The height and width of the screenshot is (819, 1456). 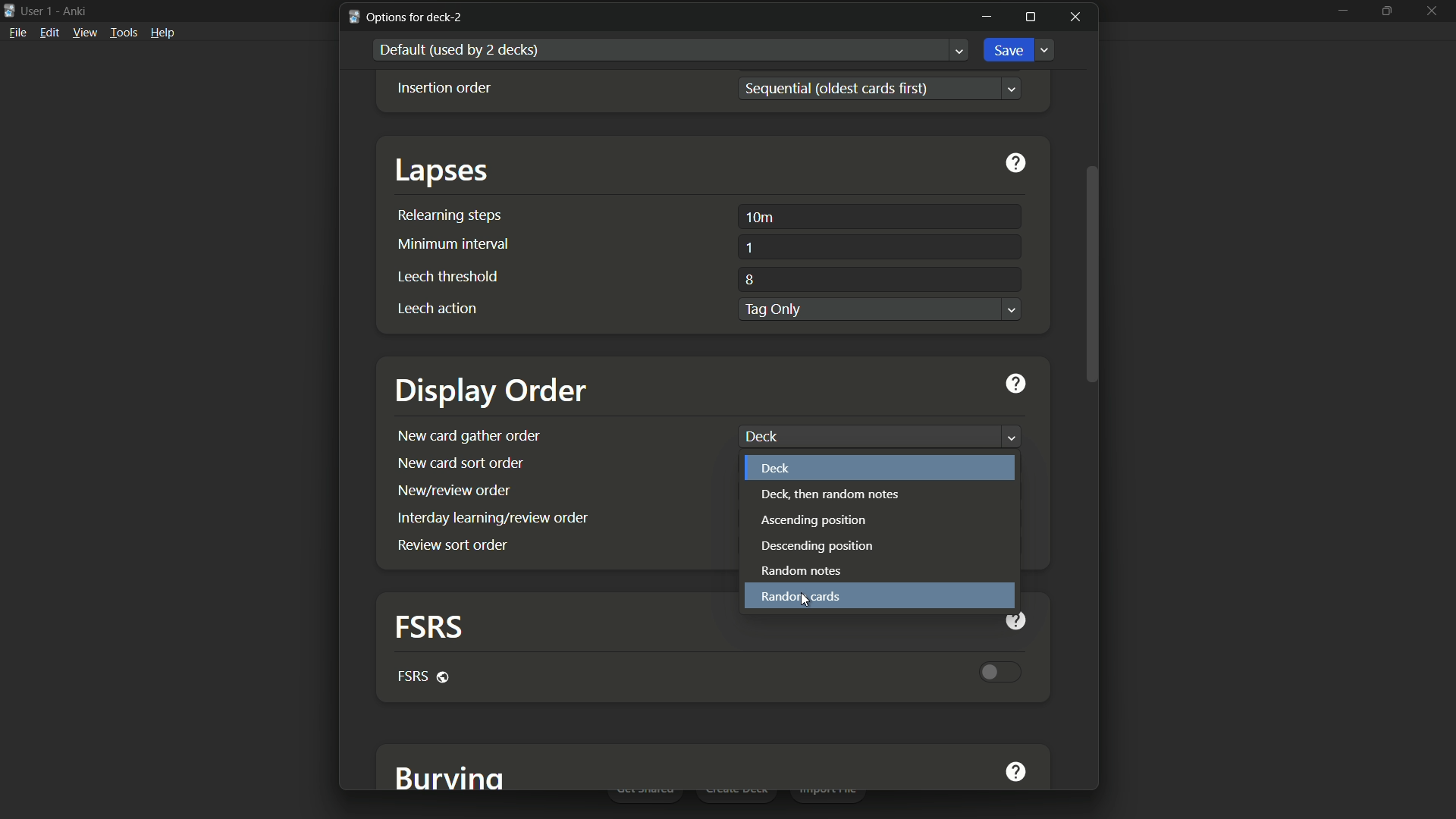 What do you see at coordinates (495, 518) in the screenshot?
I see `interday learning/review order` at bounding box center [495, 518].